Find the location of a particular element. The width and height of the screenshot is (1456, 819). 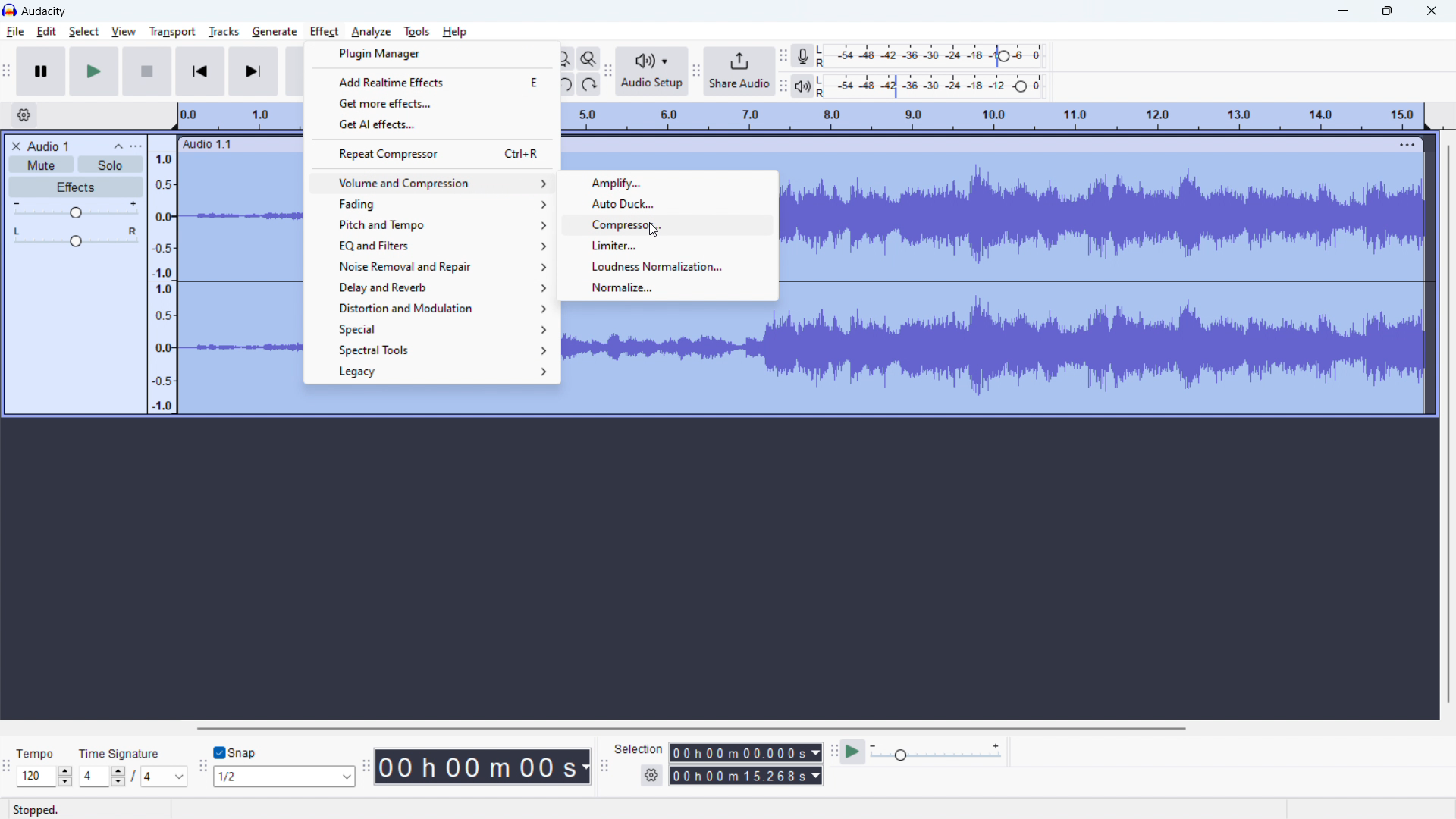

playback meter is located at coordinates (809, 86).